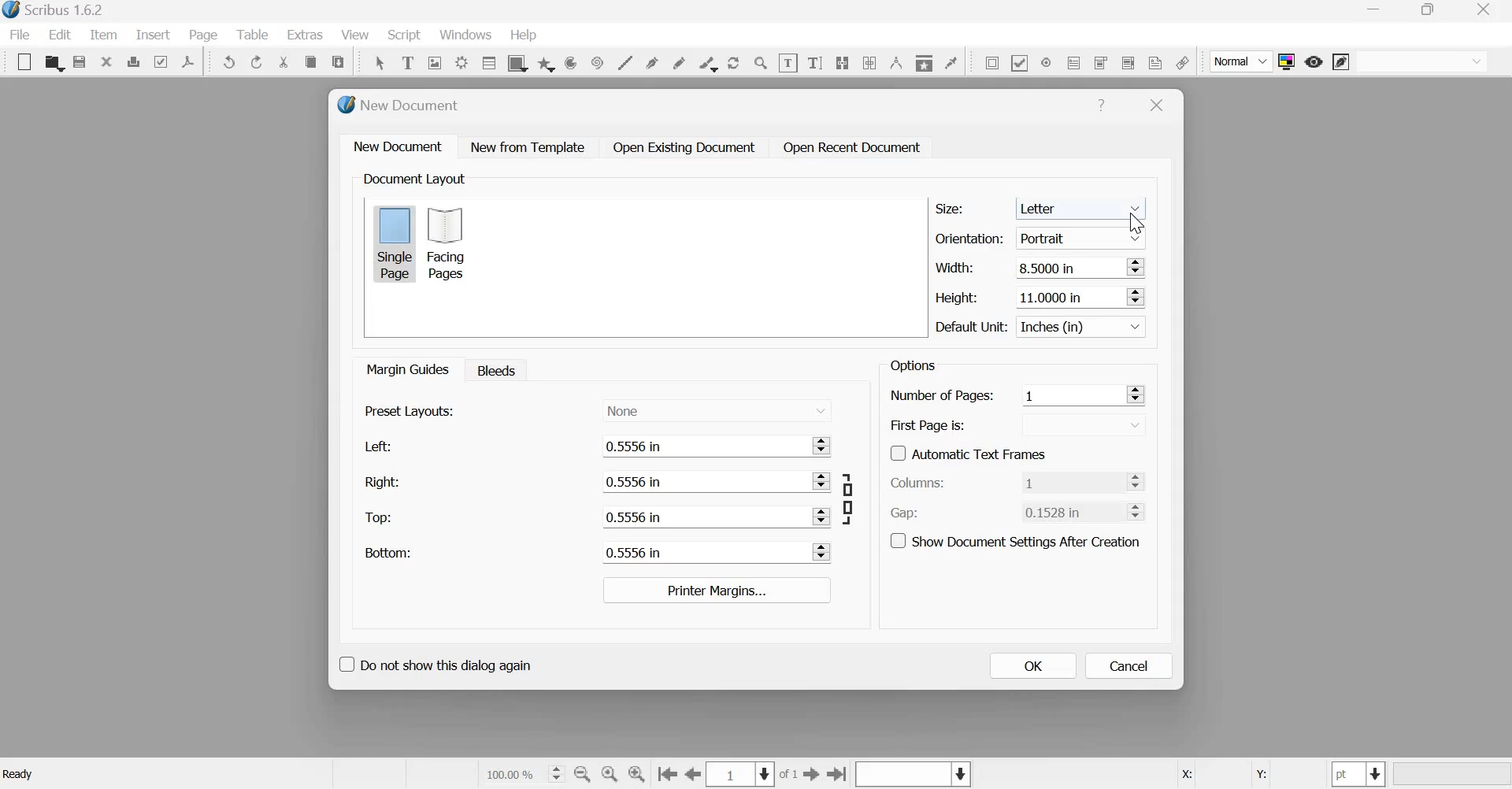 This screenshot has width=1512, height=789. What do you see at coordinates (787, 62) in the screenshot?
I see `edit contents of frame` at bounding box center [787, 62].